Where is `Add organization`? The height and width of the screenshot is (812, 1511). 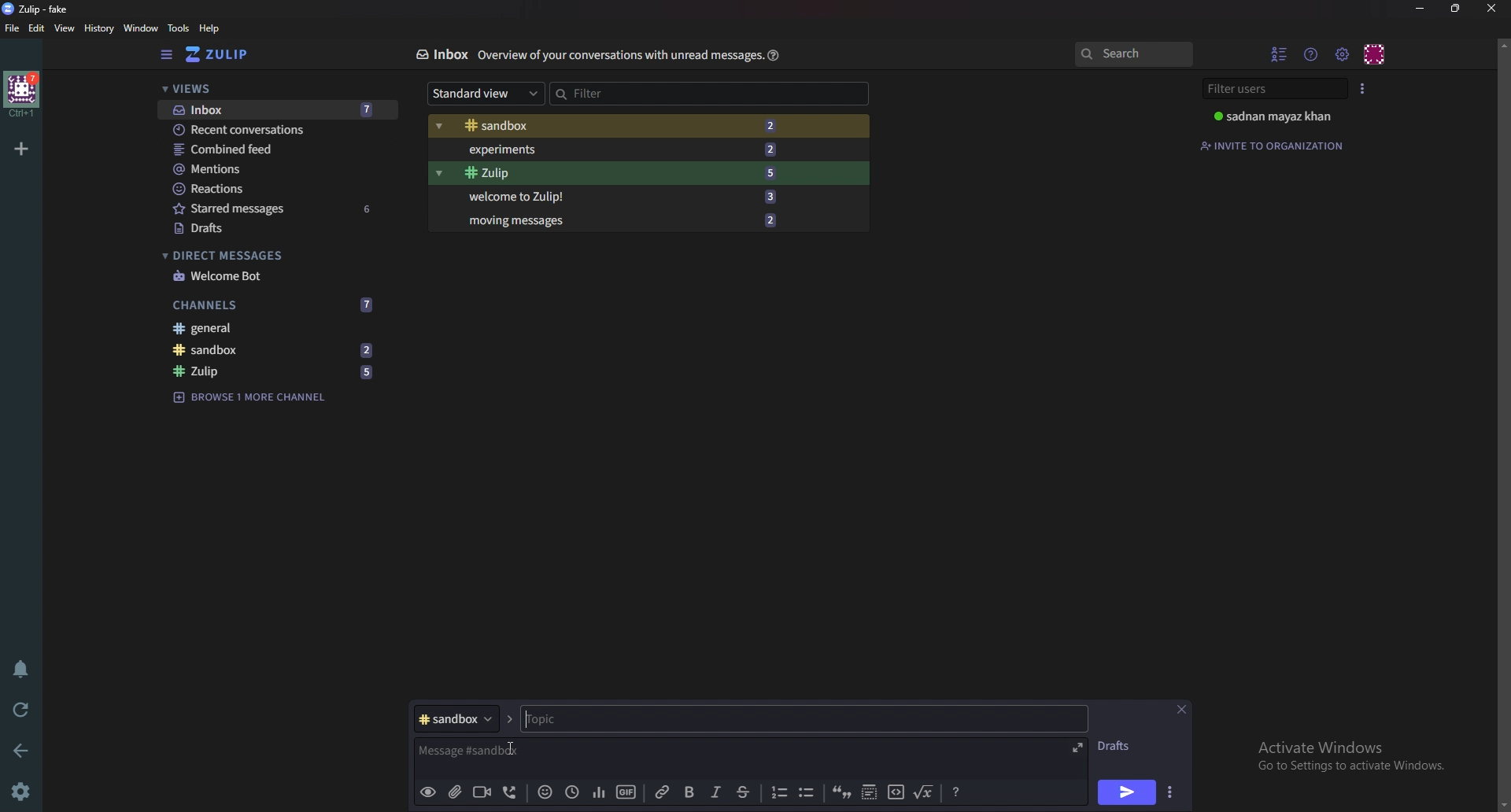
Add organization is located at coordinates (20, 148).